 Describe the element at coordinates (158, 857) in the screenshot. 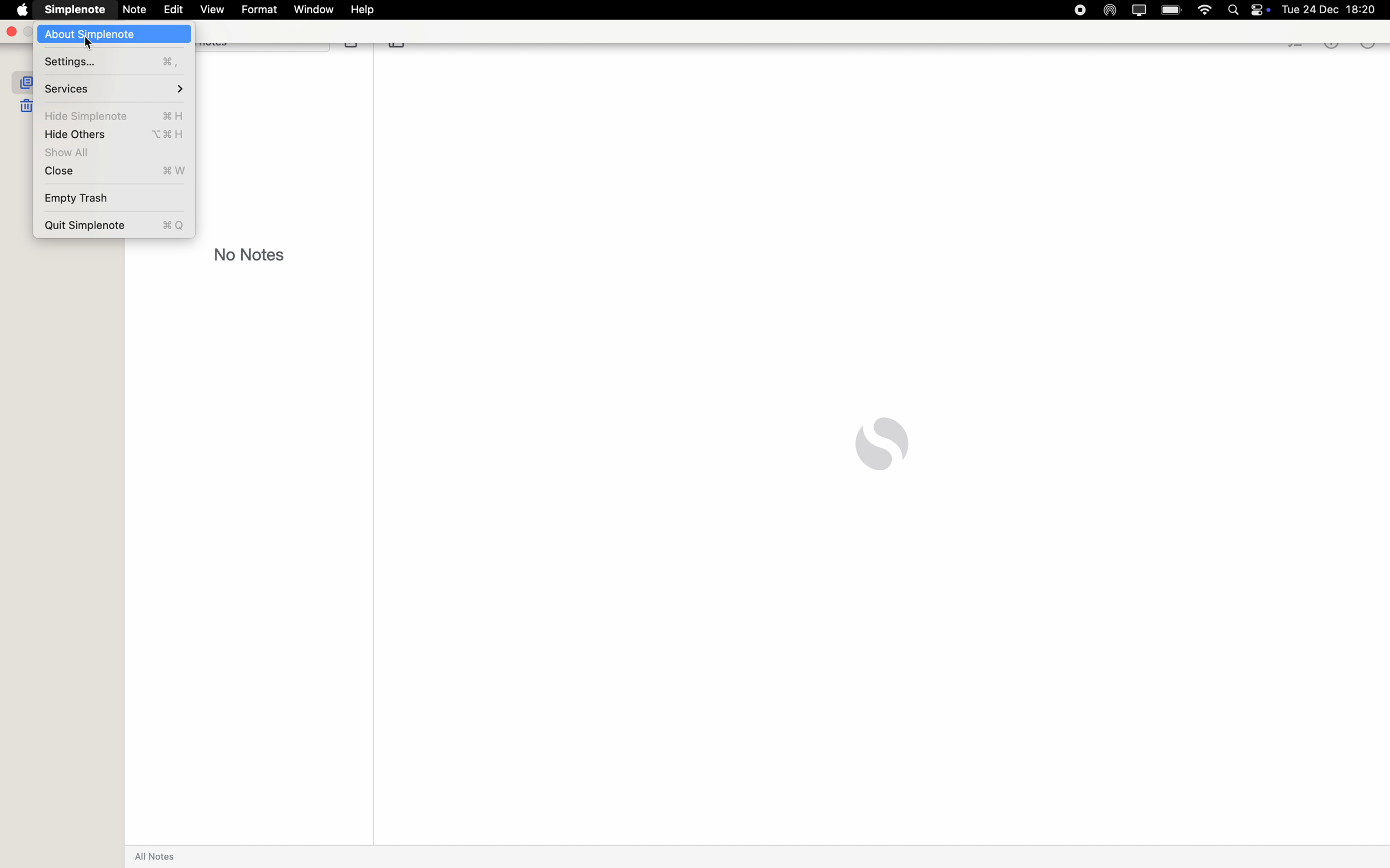

I see `all notes` at that location.